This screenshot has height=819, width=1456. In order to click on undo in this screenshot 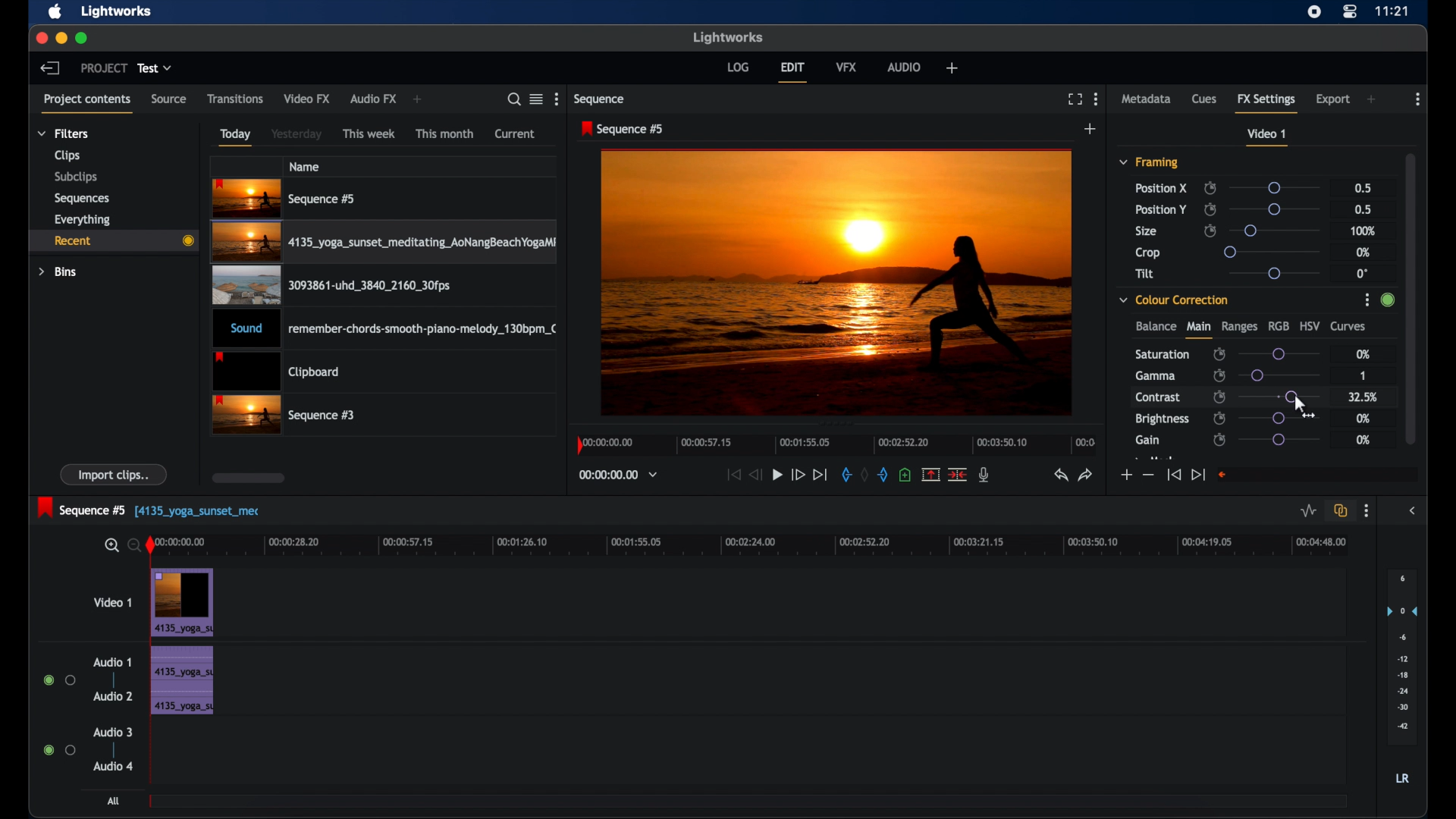, I will do `click(1059, 475)`.